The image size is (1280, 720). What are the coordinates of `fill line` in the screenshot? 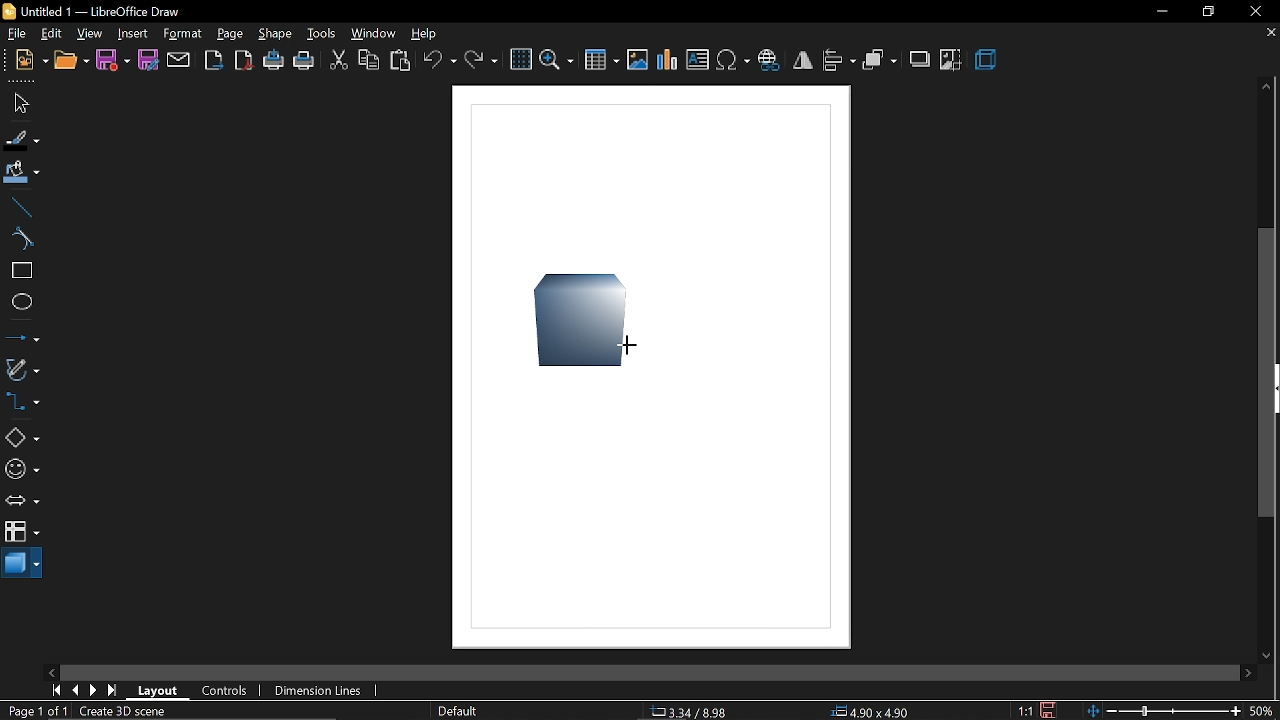 It's located at (20, 138).